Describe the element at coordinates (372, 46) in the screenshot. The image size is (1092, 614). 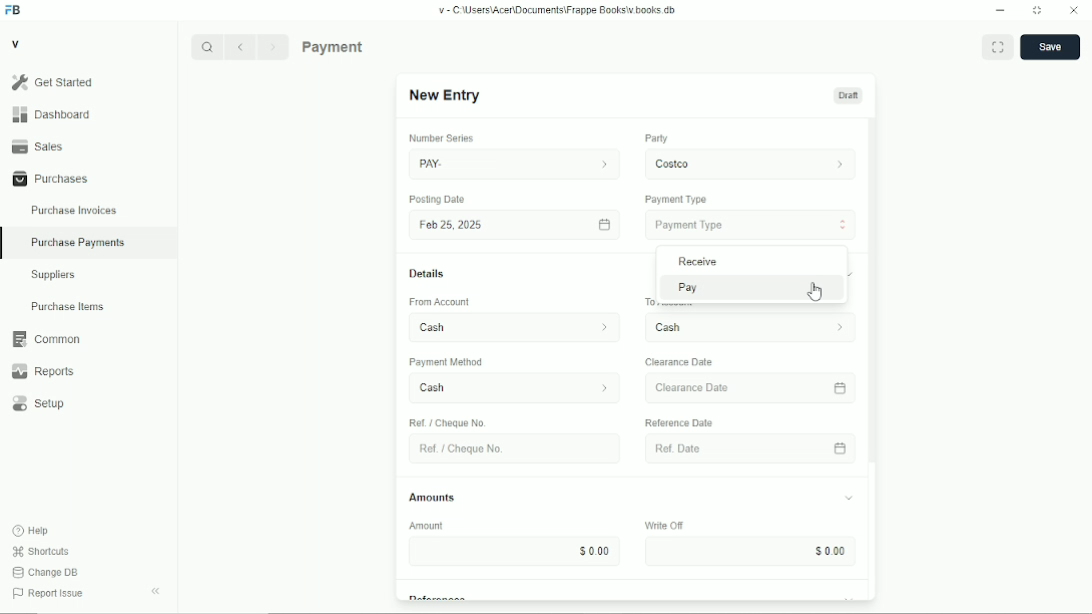
I see `Purchase Payments` at that location.